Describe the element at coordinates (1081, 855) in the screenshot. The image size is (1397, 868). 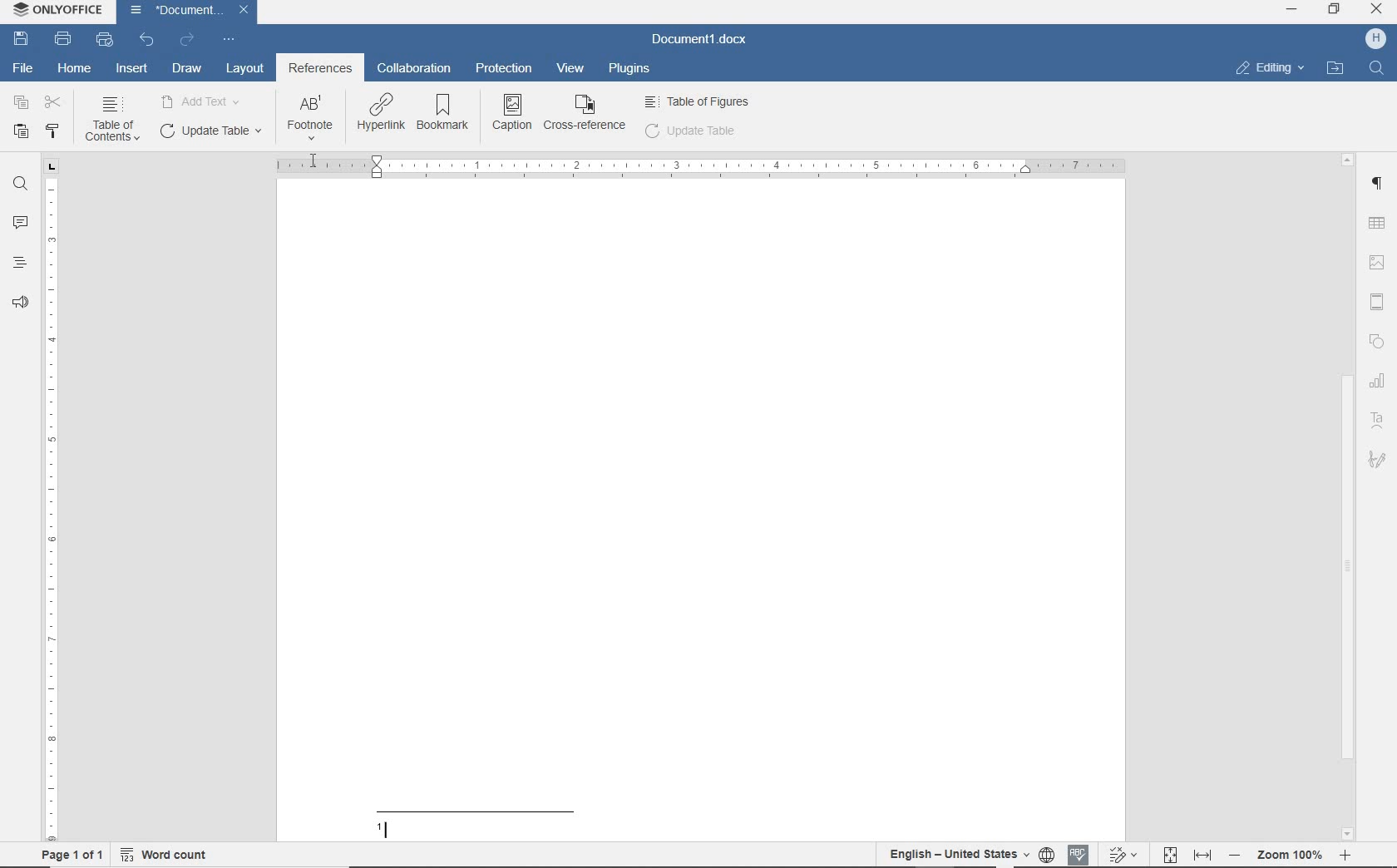
I see `spell check` at that location.